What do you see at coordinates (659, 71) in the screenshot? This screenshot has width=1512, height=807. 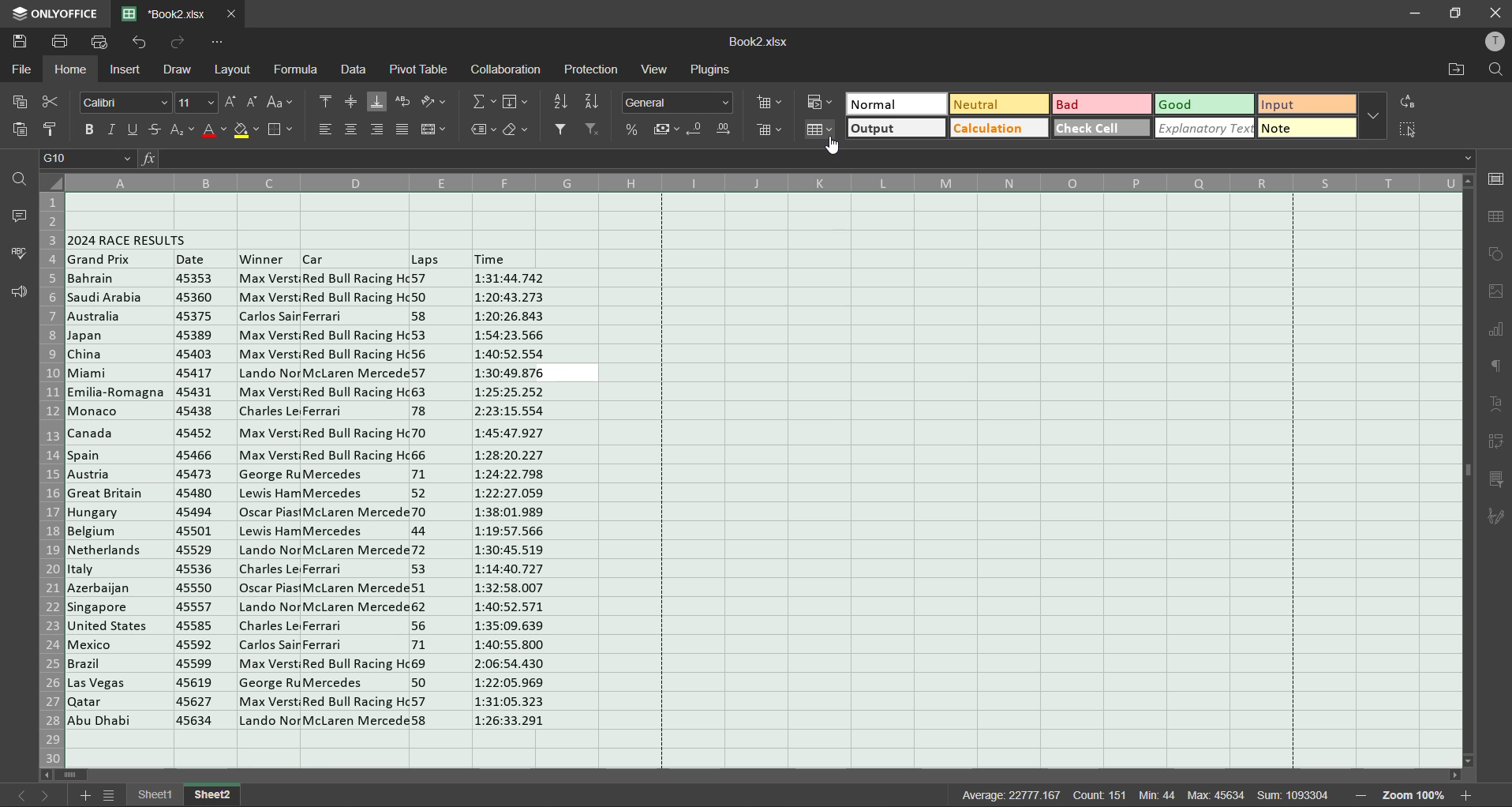 I see `view` at bounding box center [659, 71].